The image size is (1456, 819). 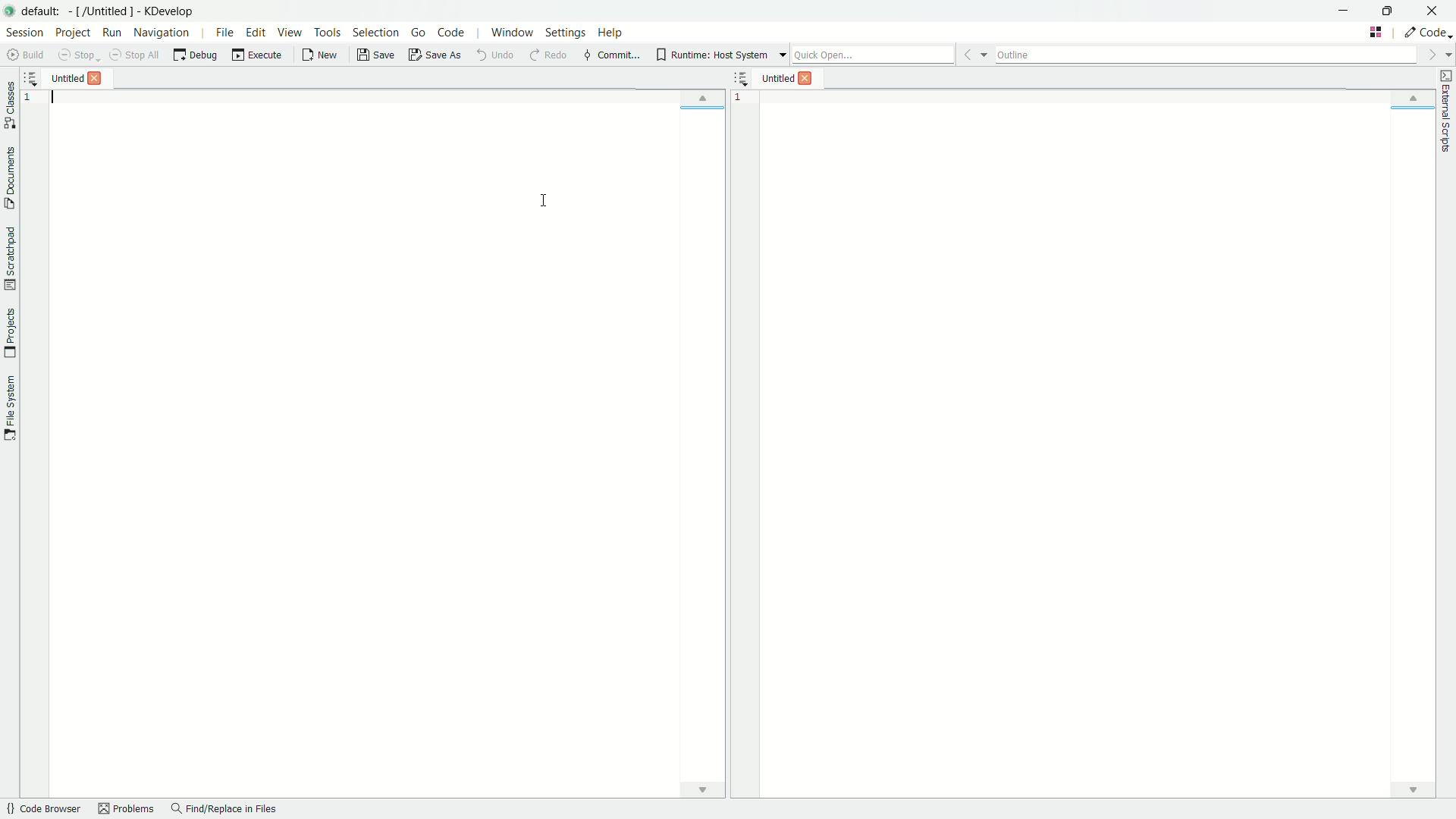 What do you see at coordinates (135, 55) in the screenshot?
I see `stop all` at bounding box center [135, 55].